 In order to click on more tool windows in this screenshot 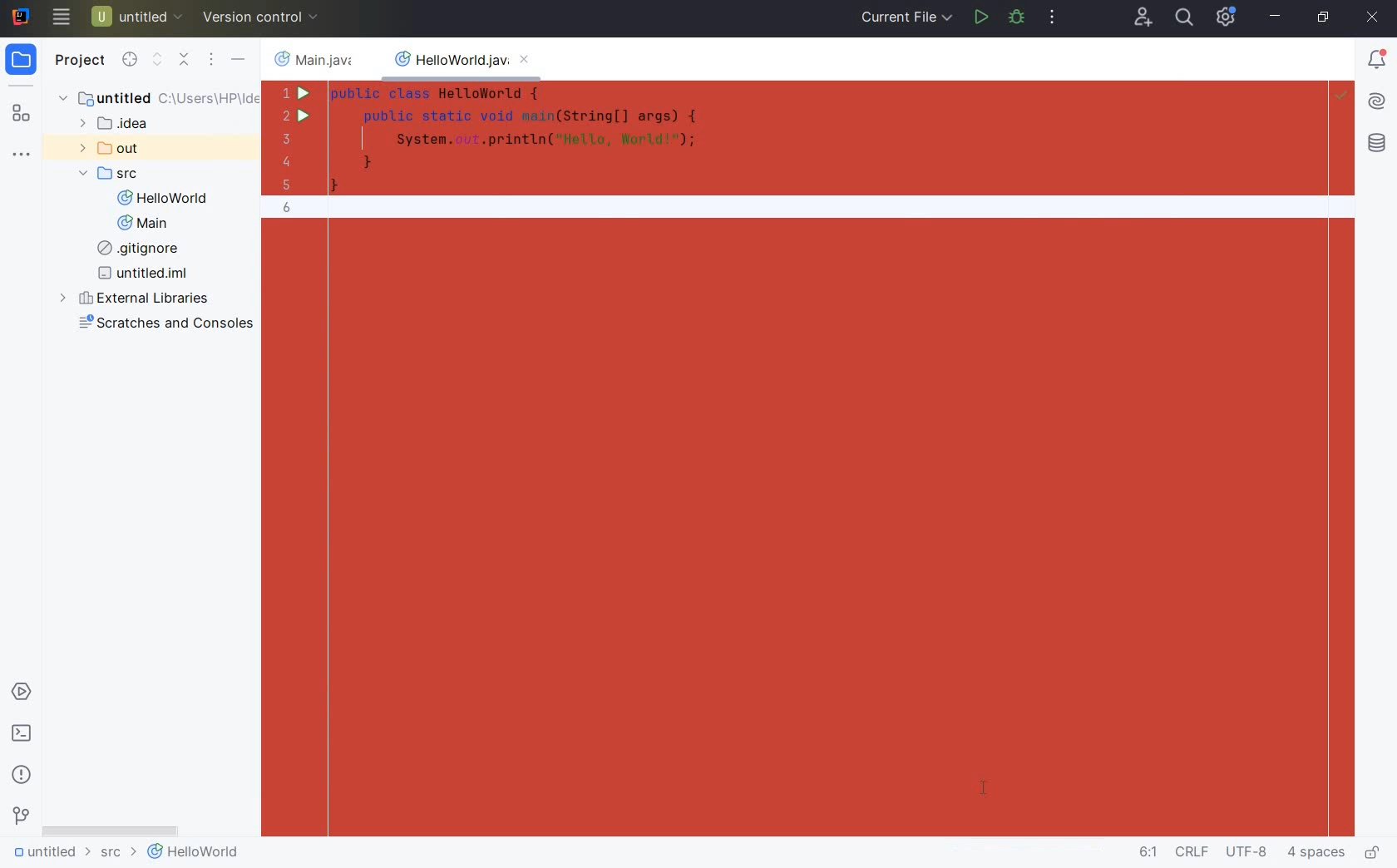, I will do `click(24, 155)`.